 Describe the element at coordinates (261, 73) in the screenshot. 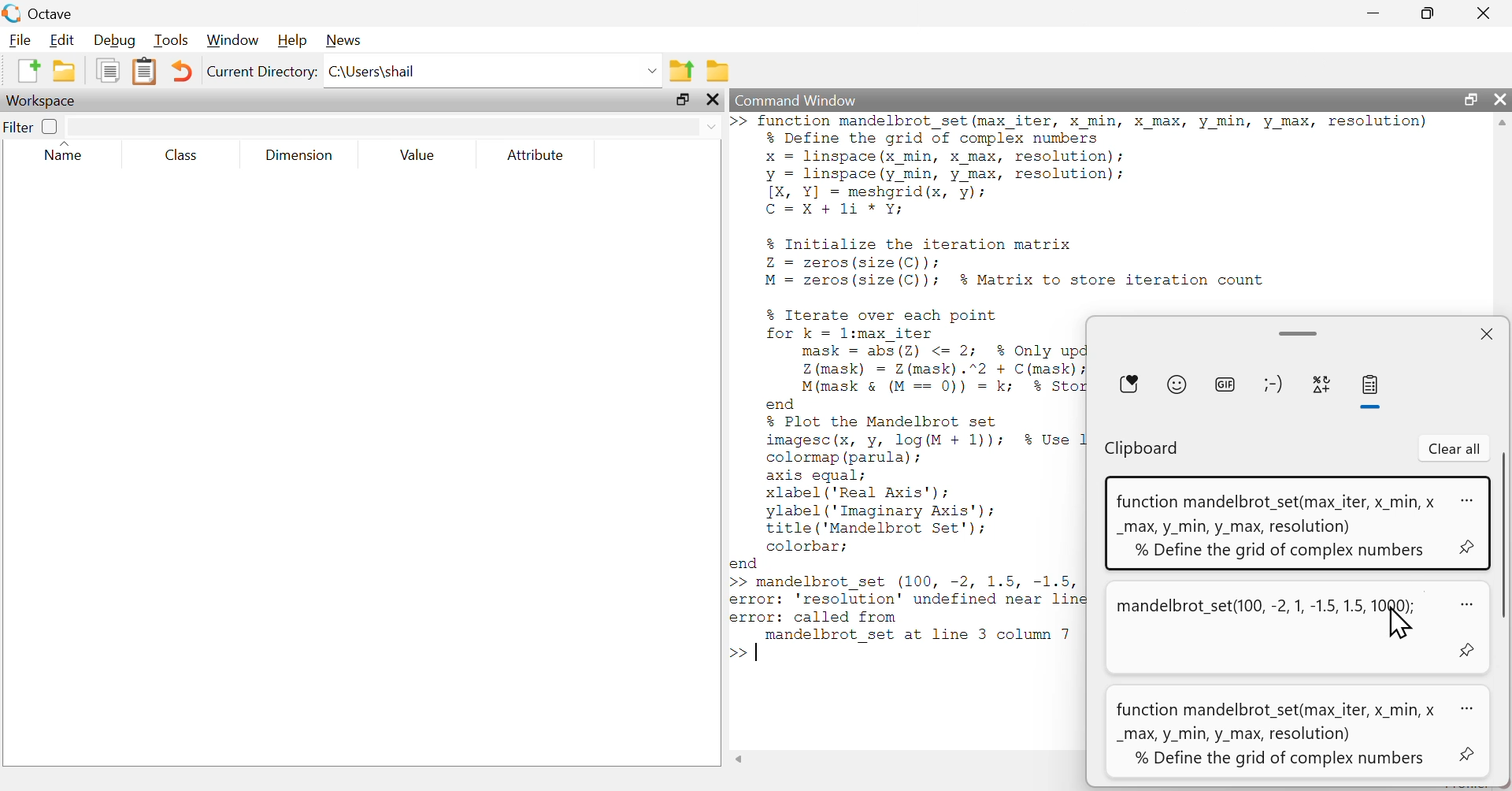

I see `Current Directory:` at that location.